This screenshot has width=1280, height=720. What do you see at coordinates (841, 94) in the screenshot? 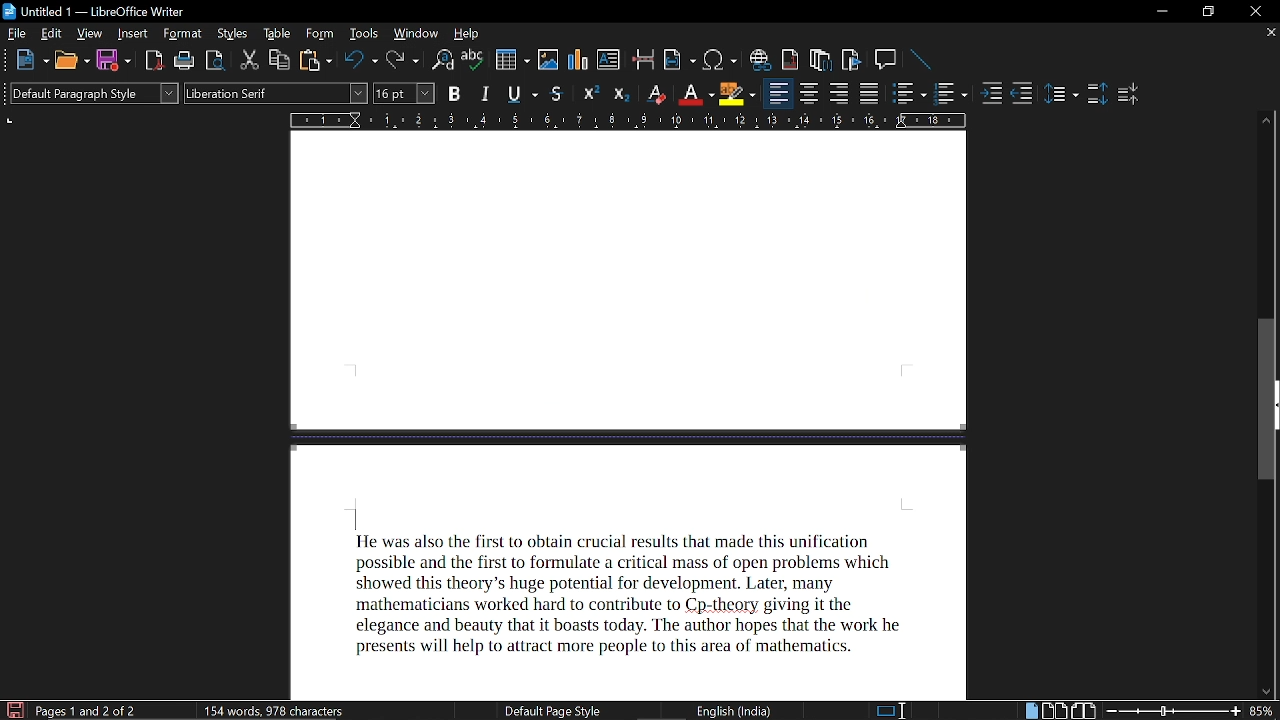
I see `Allign right` at bounding box center [841, 94].